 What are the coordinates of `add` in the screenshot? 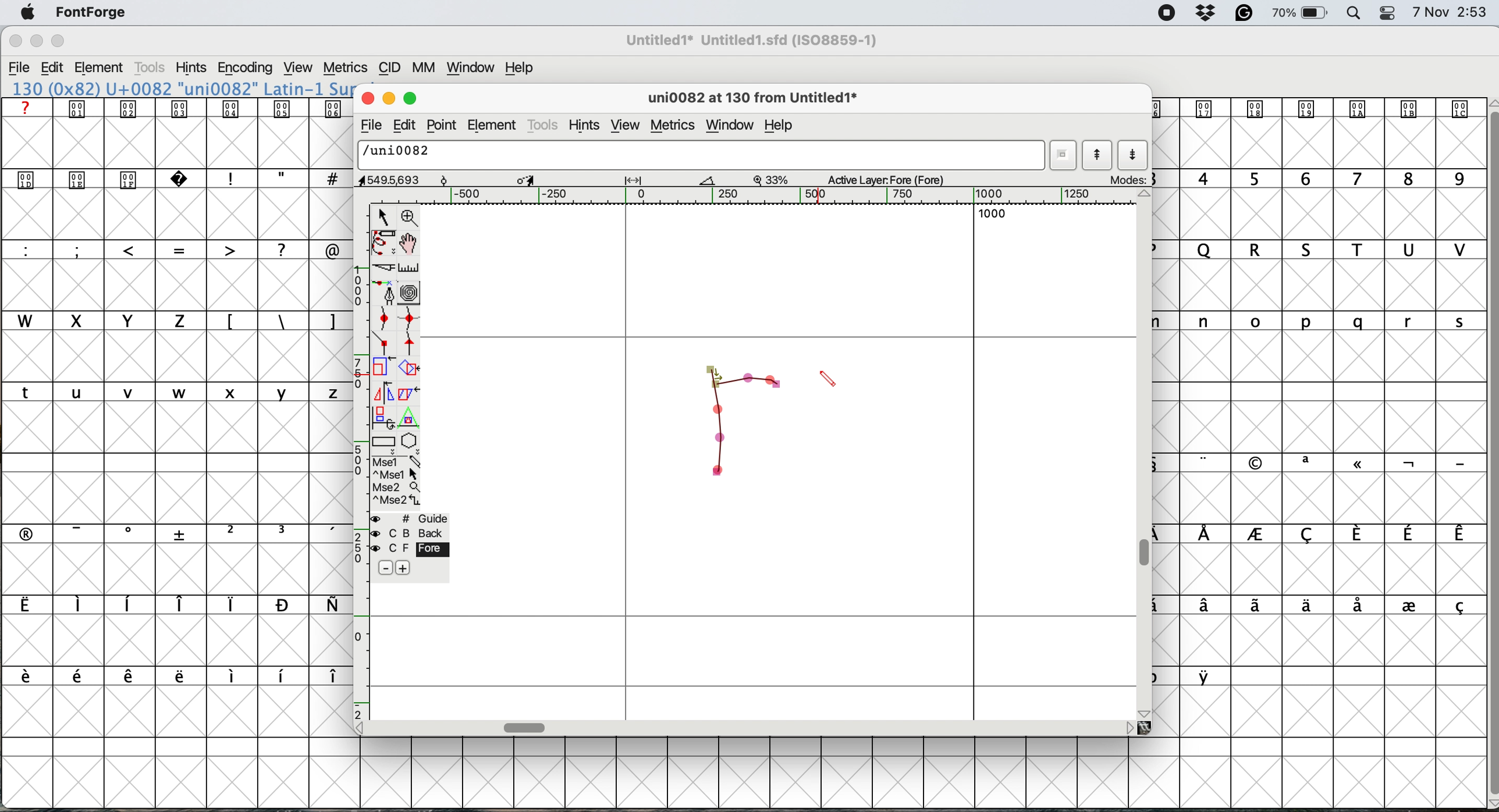 It's located at (403, 567).